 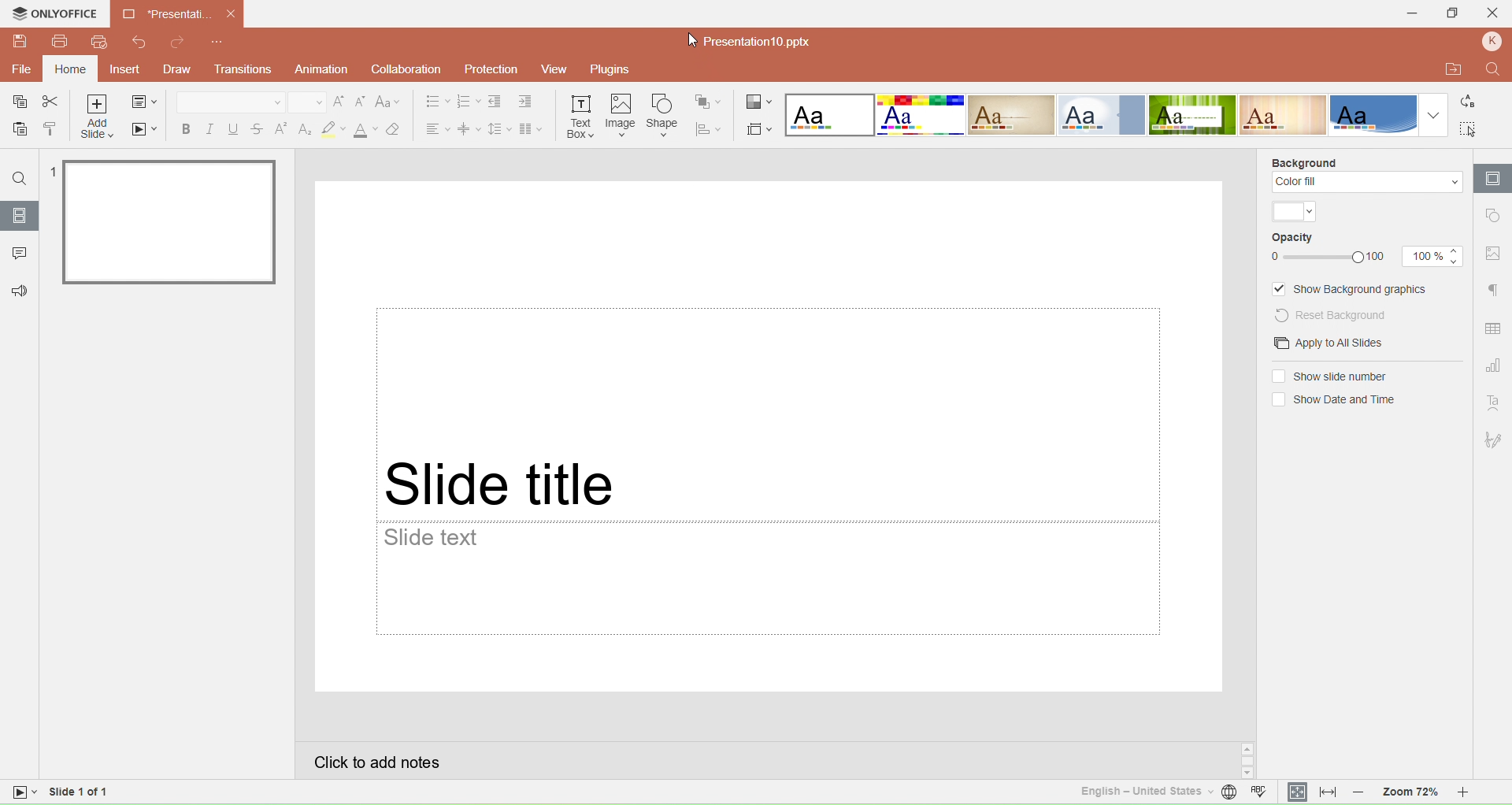 I want to click on Slide 1 0f 1, so click(x=113, y=795).